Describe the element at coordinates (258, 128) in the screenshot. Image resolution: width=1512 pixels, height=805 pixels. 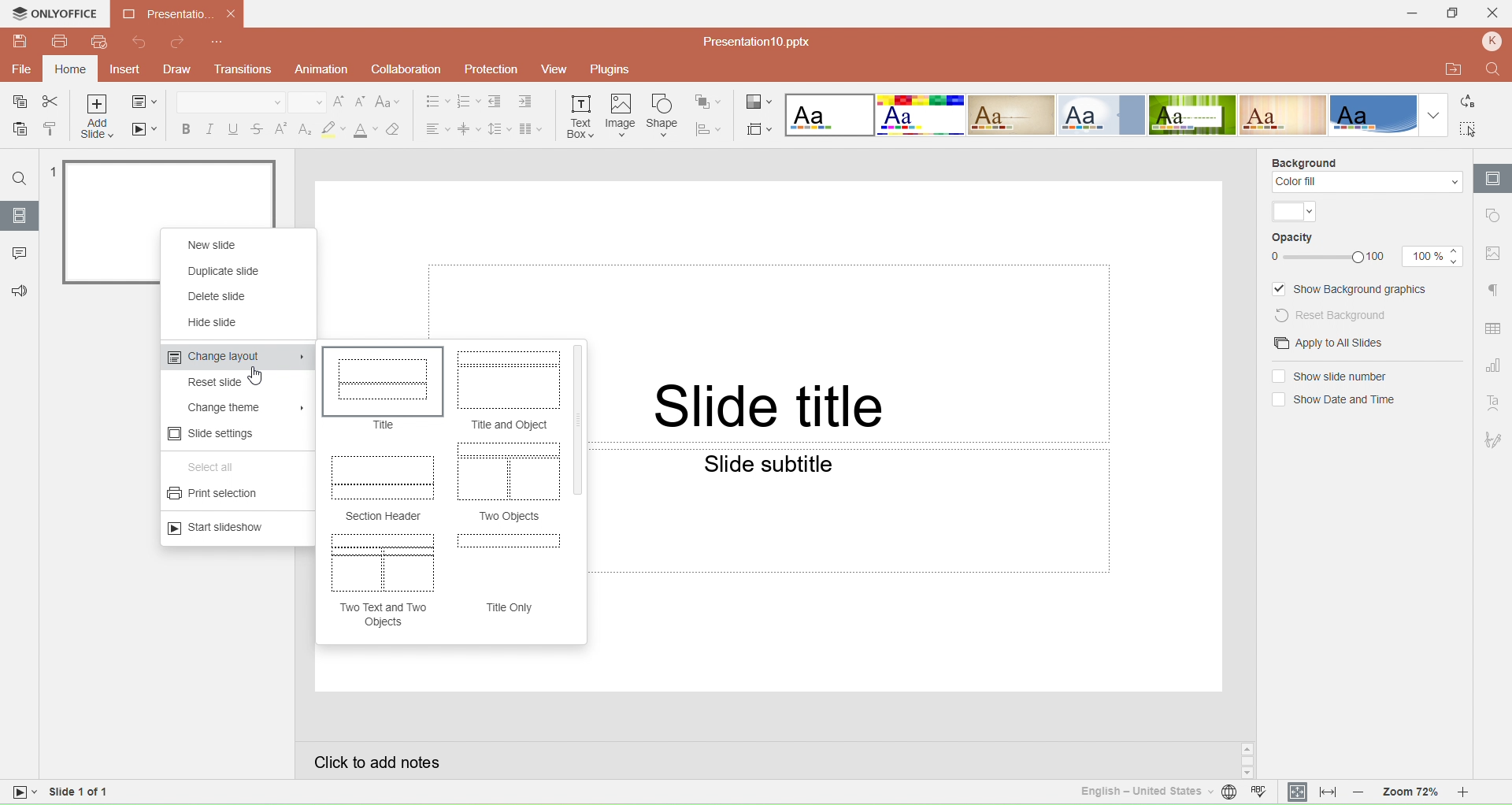
I see `Strike through` at that location.